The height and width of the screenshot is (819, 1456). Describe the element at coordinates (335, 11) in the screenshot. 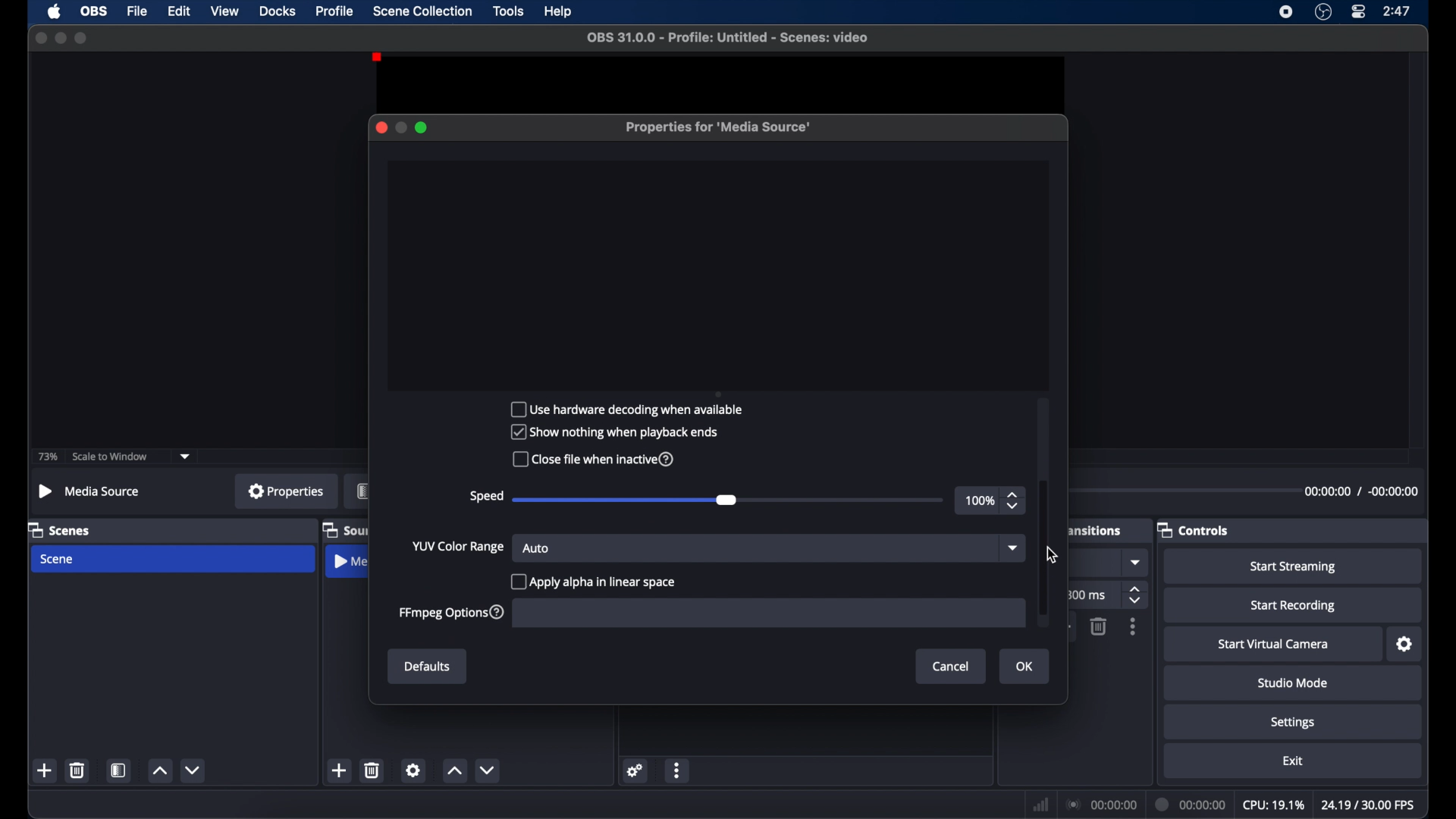

I see `profile` at that location.